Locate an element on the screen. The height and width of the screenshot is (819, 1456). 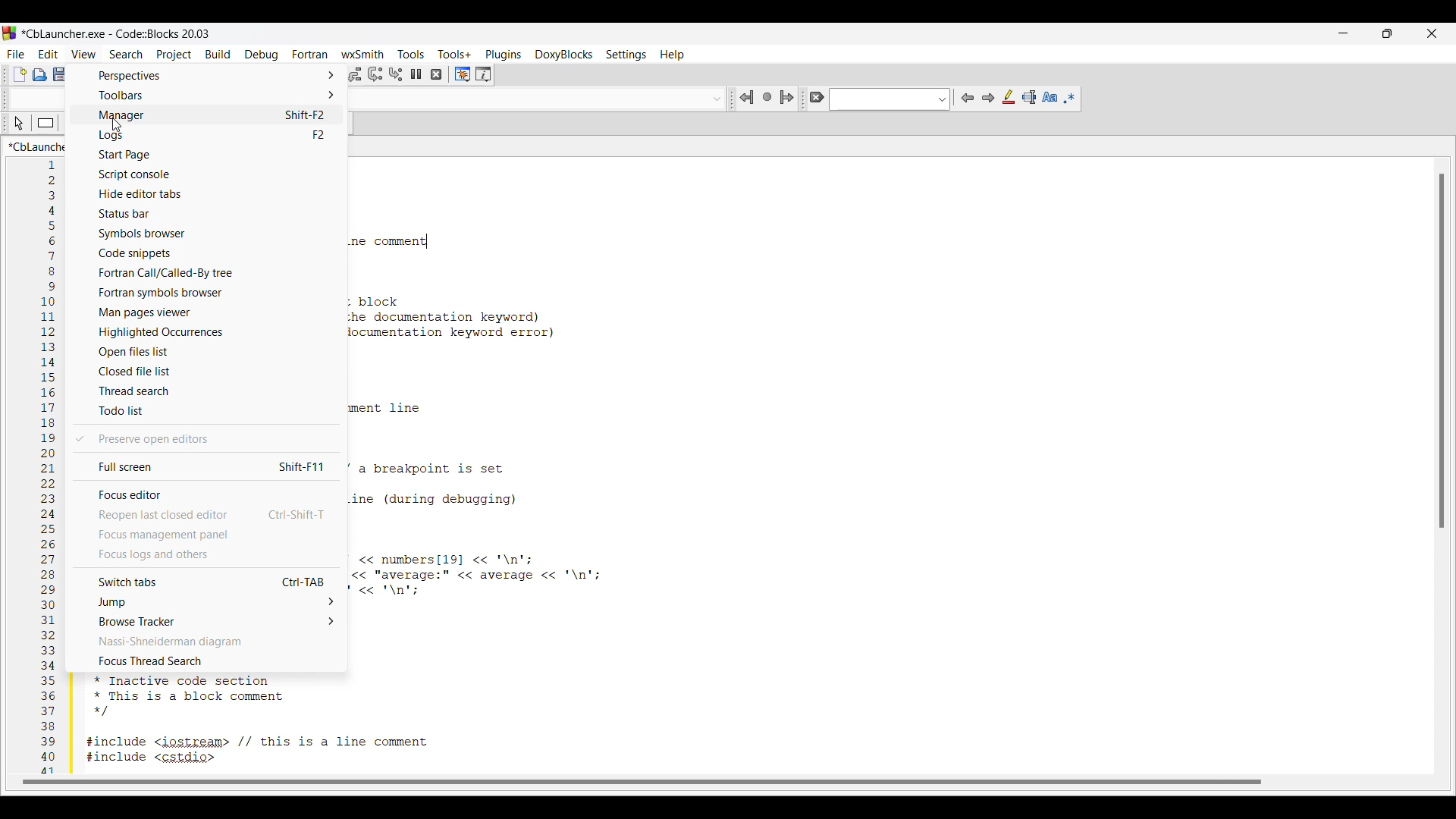
 is located at coordinates (437, 75).